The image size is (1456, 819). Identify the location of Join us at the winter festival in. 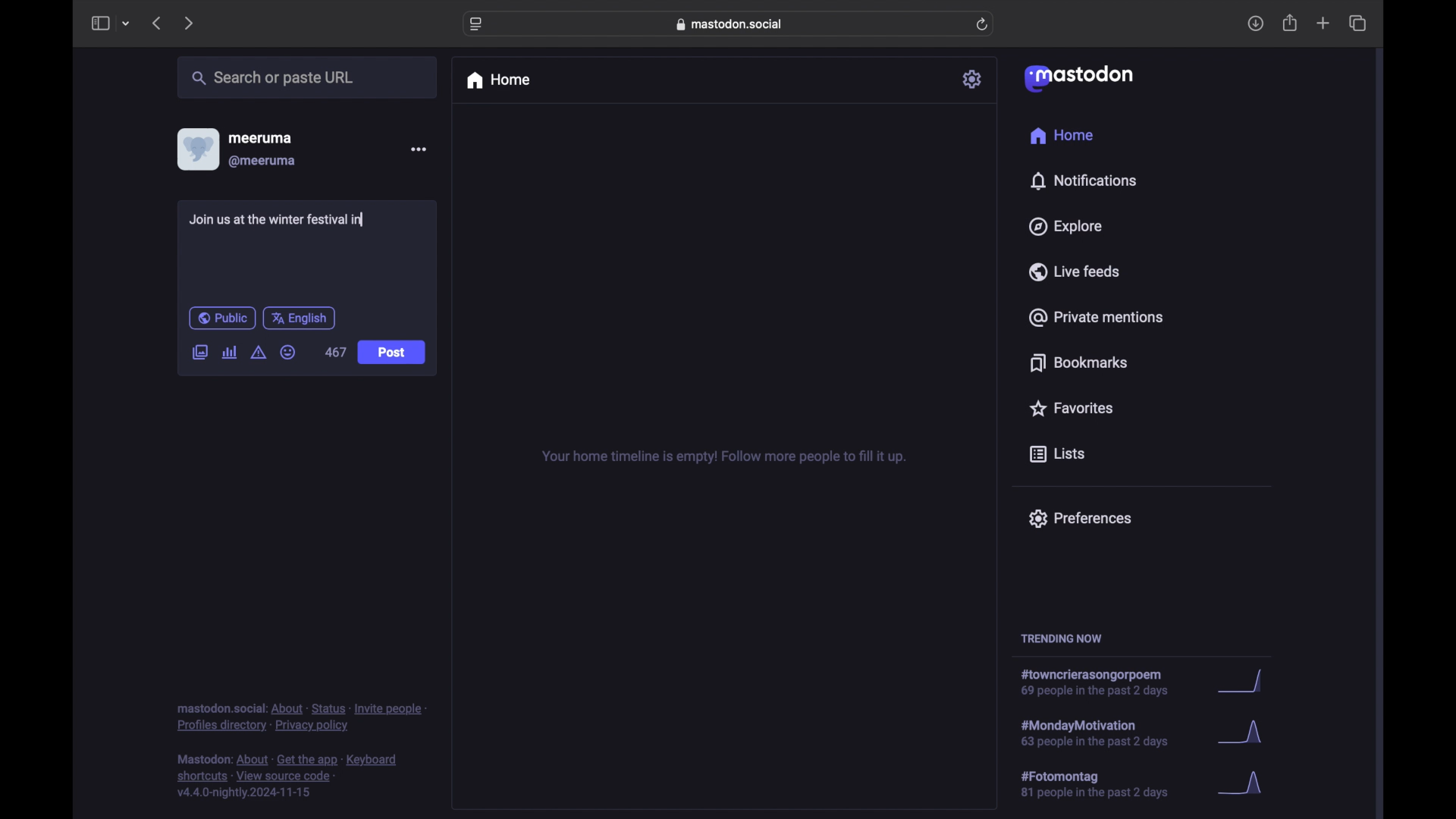
(279, 220).